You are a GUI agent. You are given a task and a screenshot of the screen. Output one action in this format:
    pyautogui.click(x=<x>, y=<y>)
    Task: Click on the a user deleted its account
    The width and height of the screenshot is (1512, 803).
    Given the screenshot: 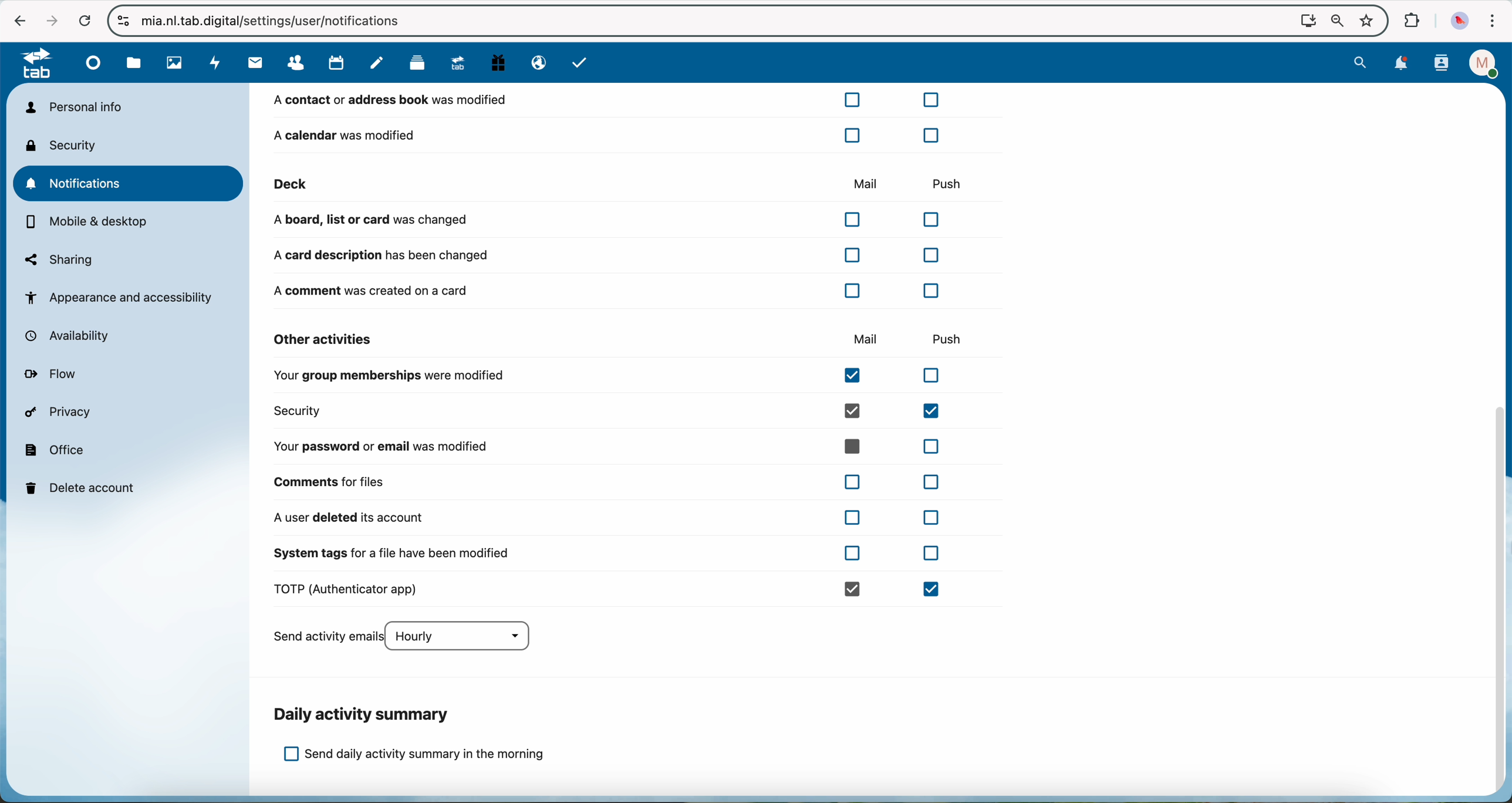 What is the action you would take?
    pyautogui.click(x=606, y=518)
    